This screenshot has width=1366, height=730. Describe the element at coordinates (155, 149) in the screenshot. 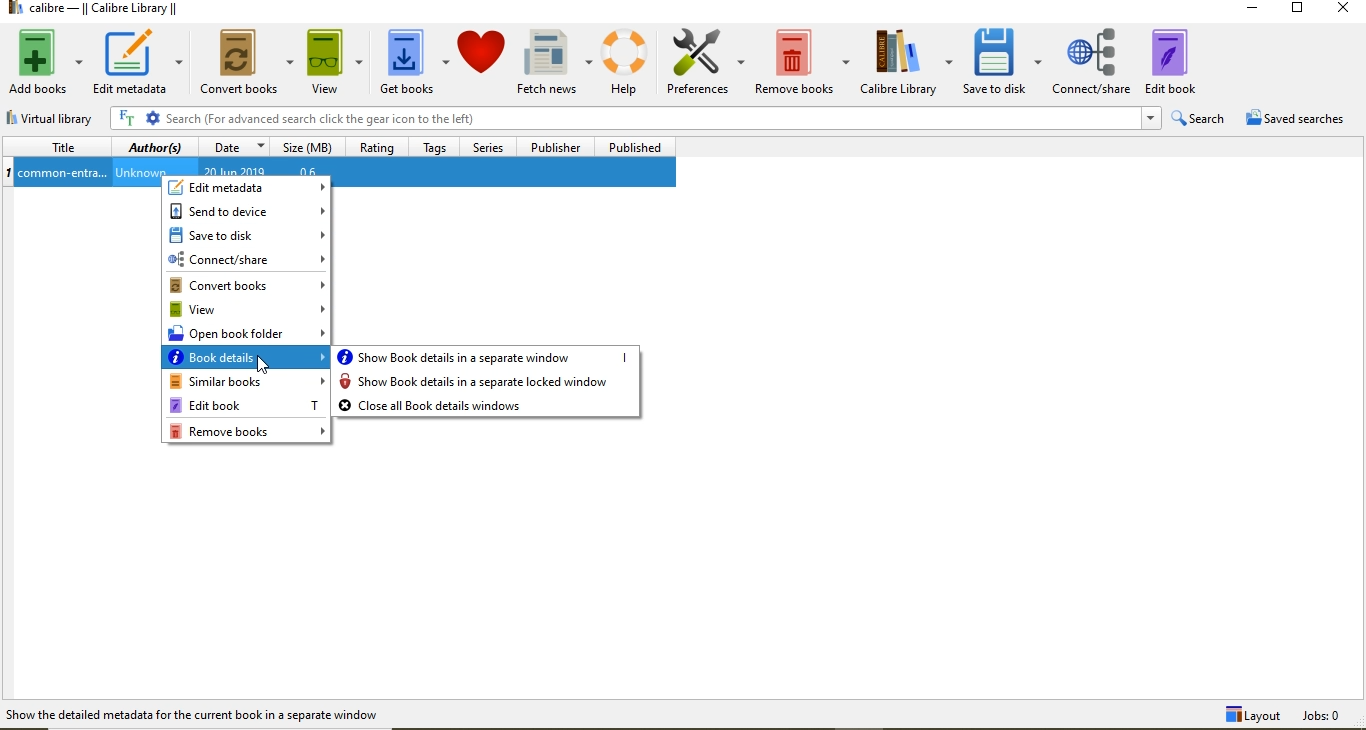

I see `author(s)` at that location.